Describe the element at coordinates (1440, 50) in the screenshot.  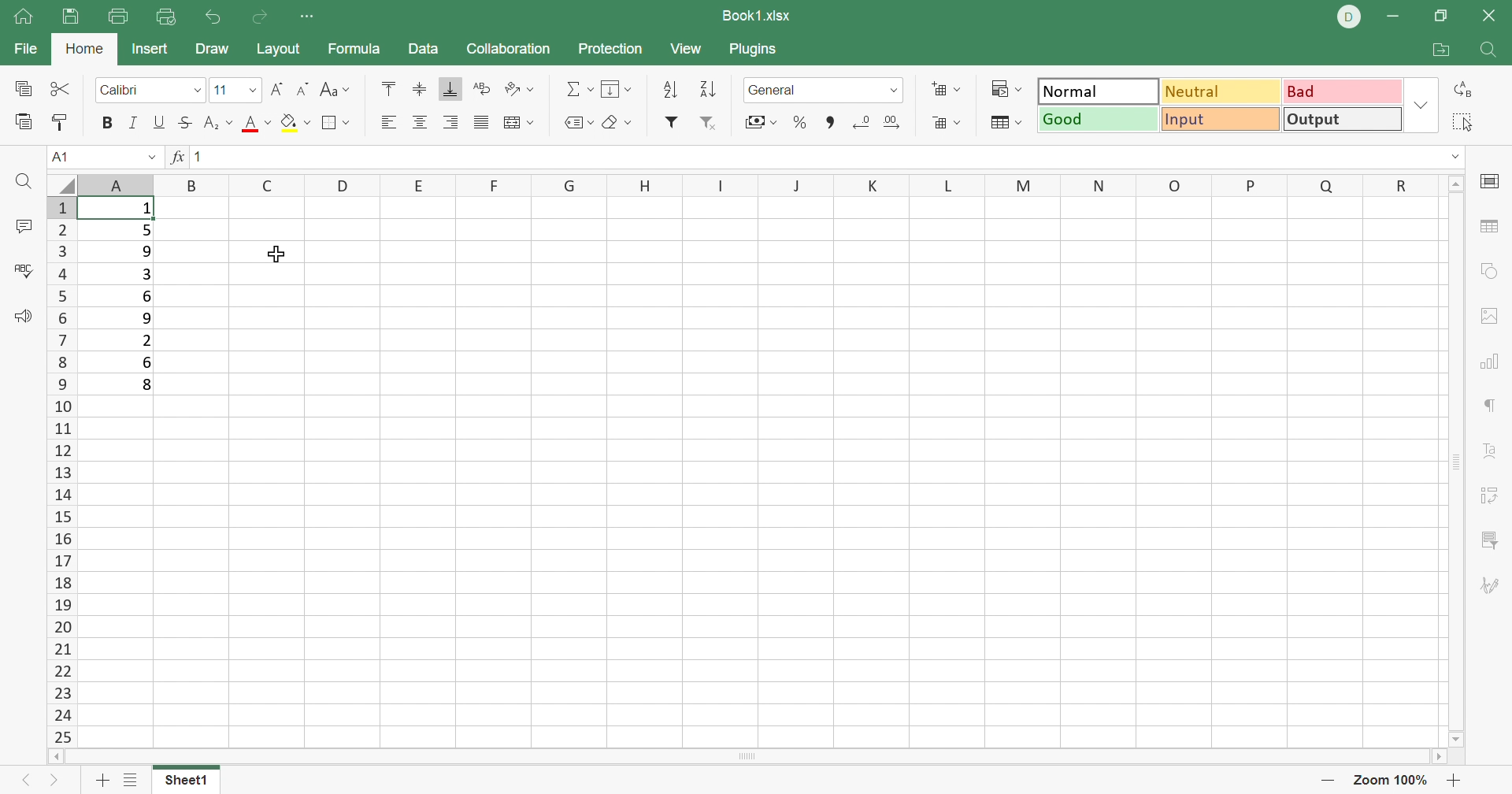
I see `Open file location` at that location.